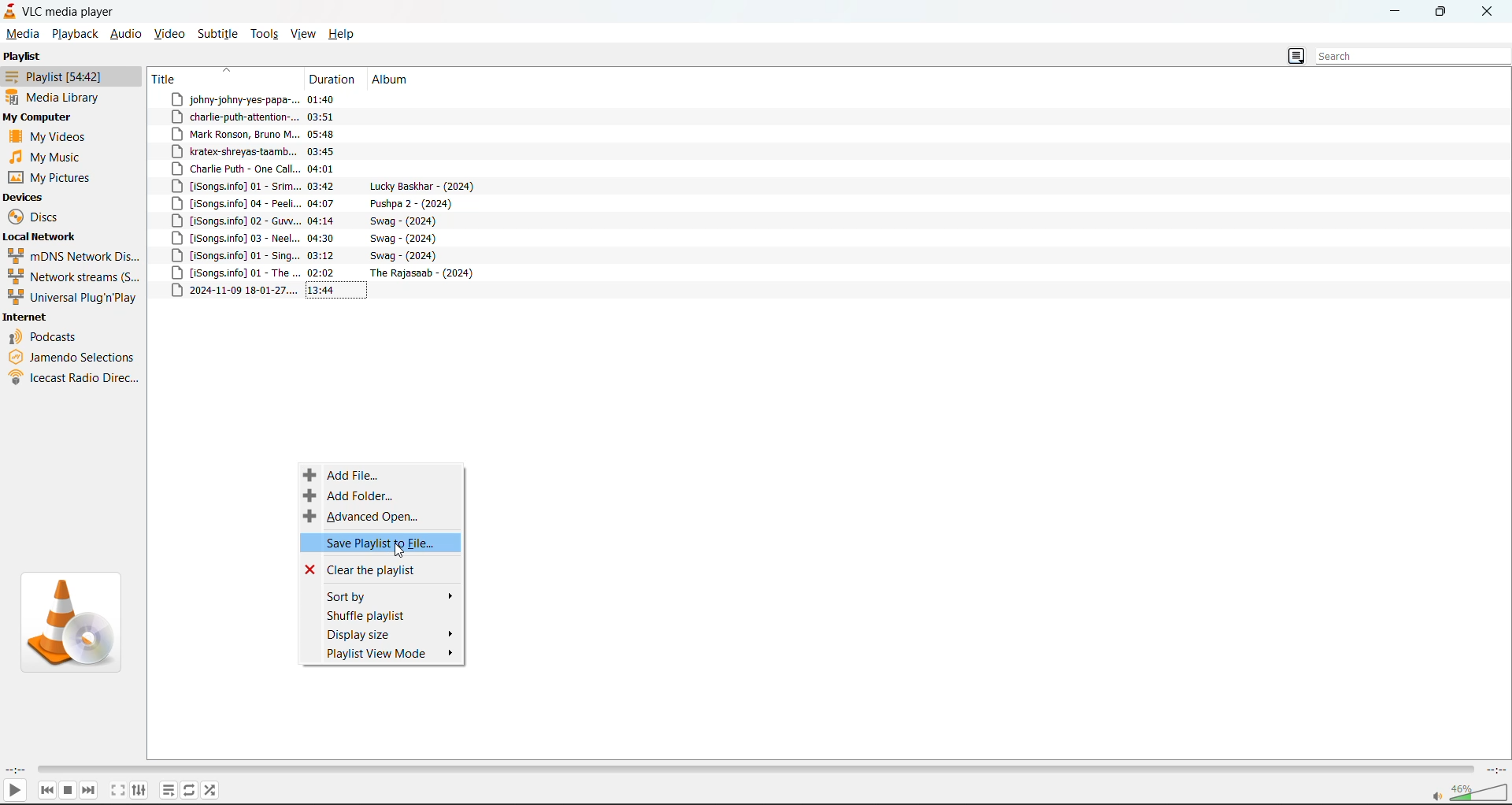 Image resolution: width=1512 pixels, height=805 pixels. What do you see at coordinates (380, 595) in the screenshot?
I see `sort by` at bounding box center [380, 595].